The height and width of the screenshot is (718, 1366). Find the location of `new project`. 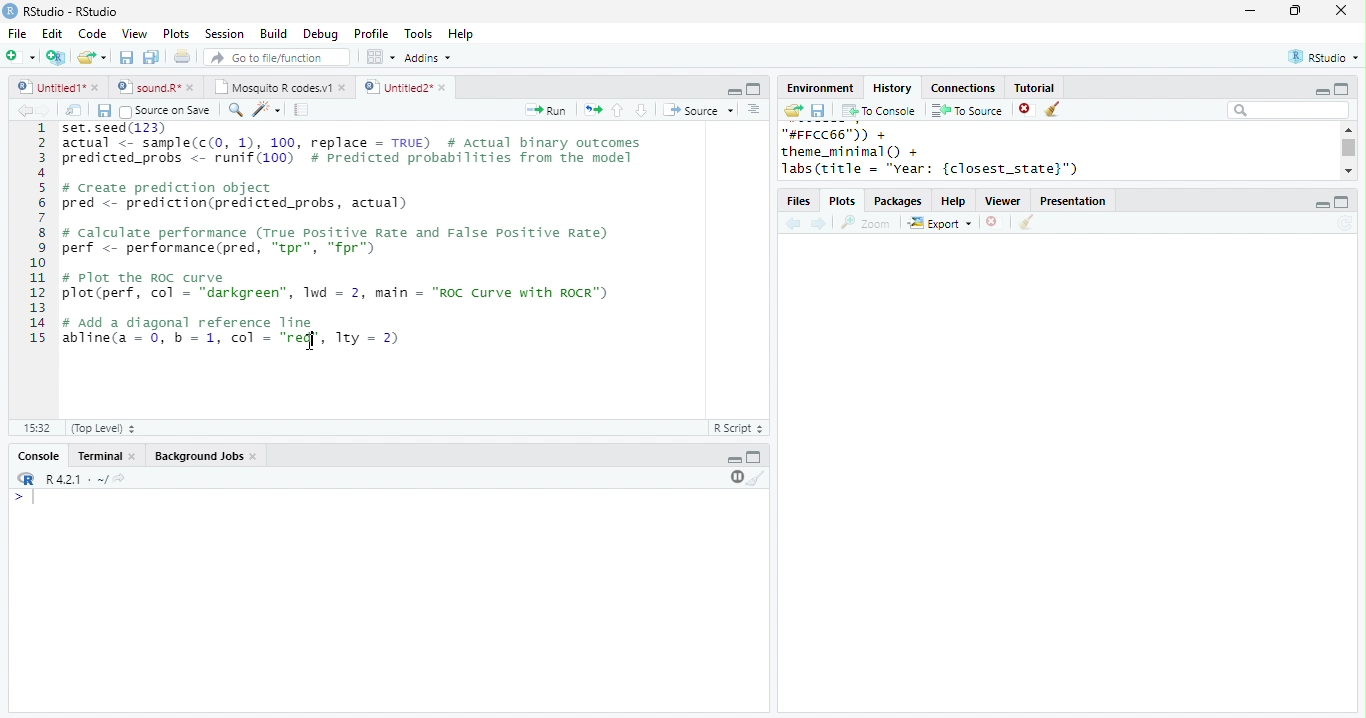

new project is located at coordinates (57, 57).